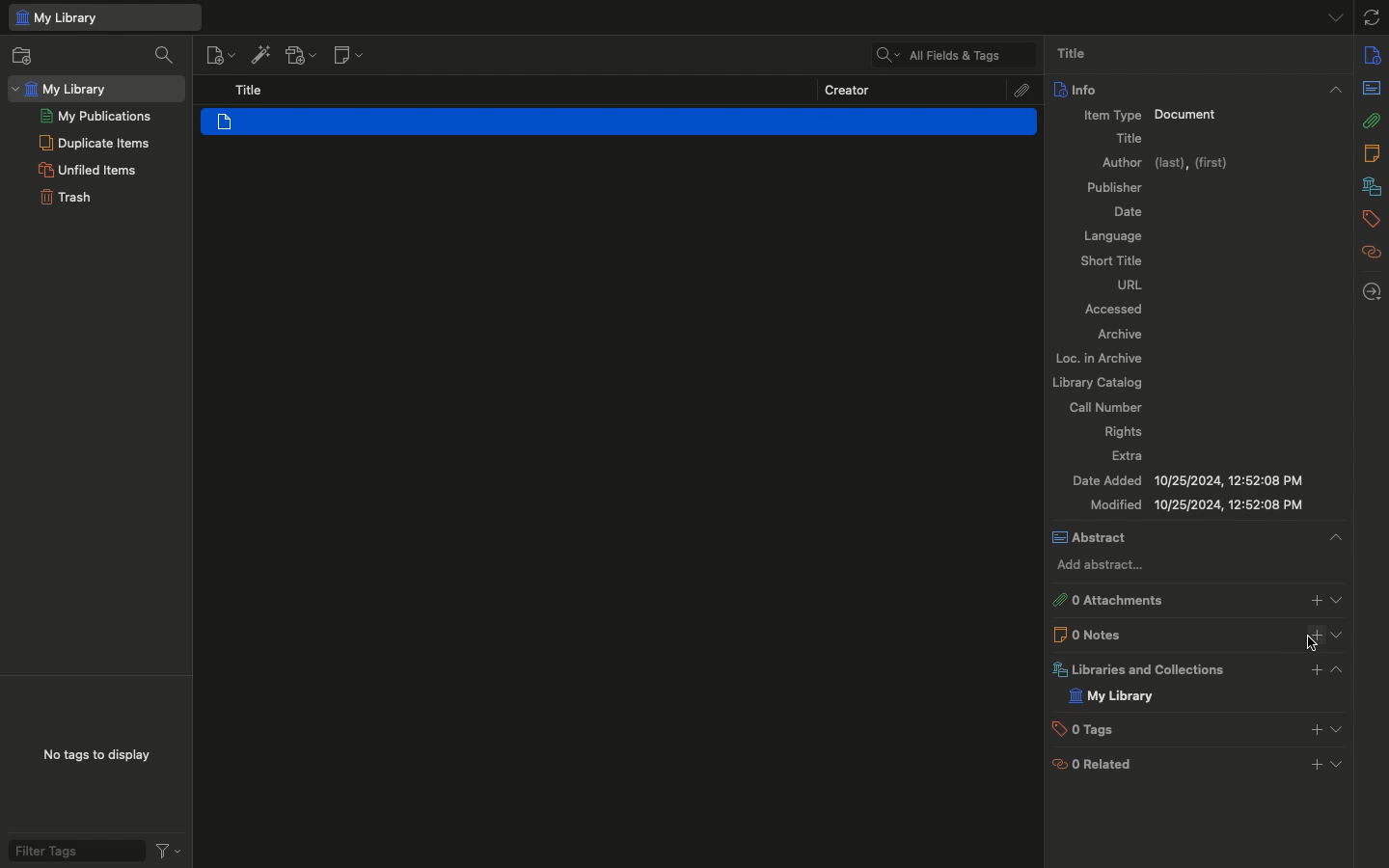 The image size is (1389, 868). Describe the element at coordinates (30, 55) in the screenshot. I see `New collection` at that location.